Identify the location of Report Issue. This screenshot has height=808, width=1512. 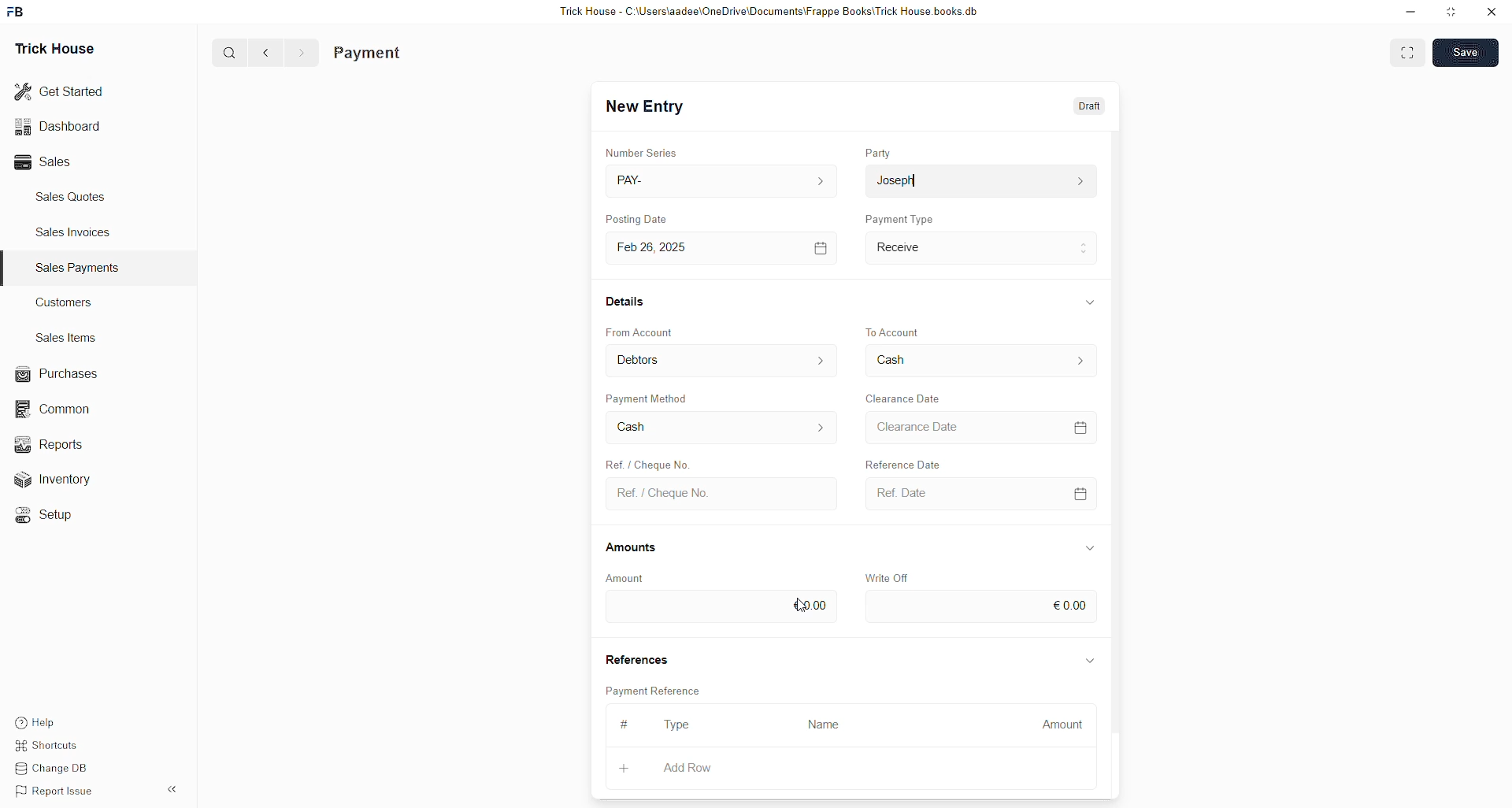
(57, 791).